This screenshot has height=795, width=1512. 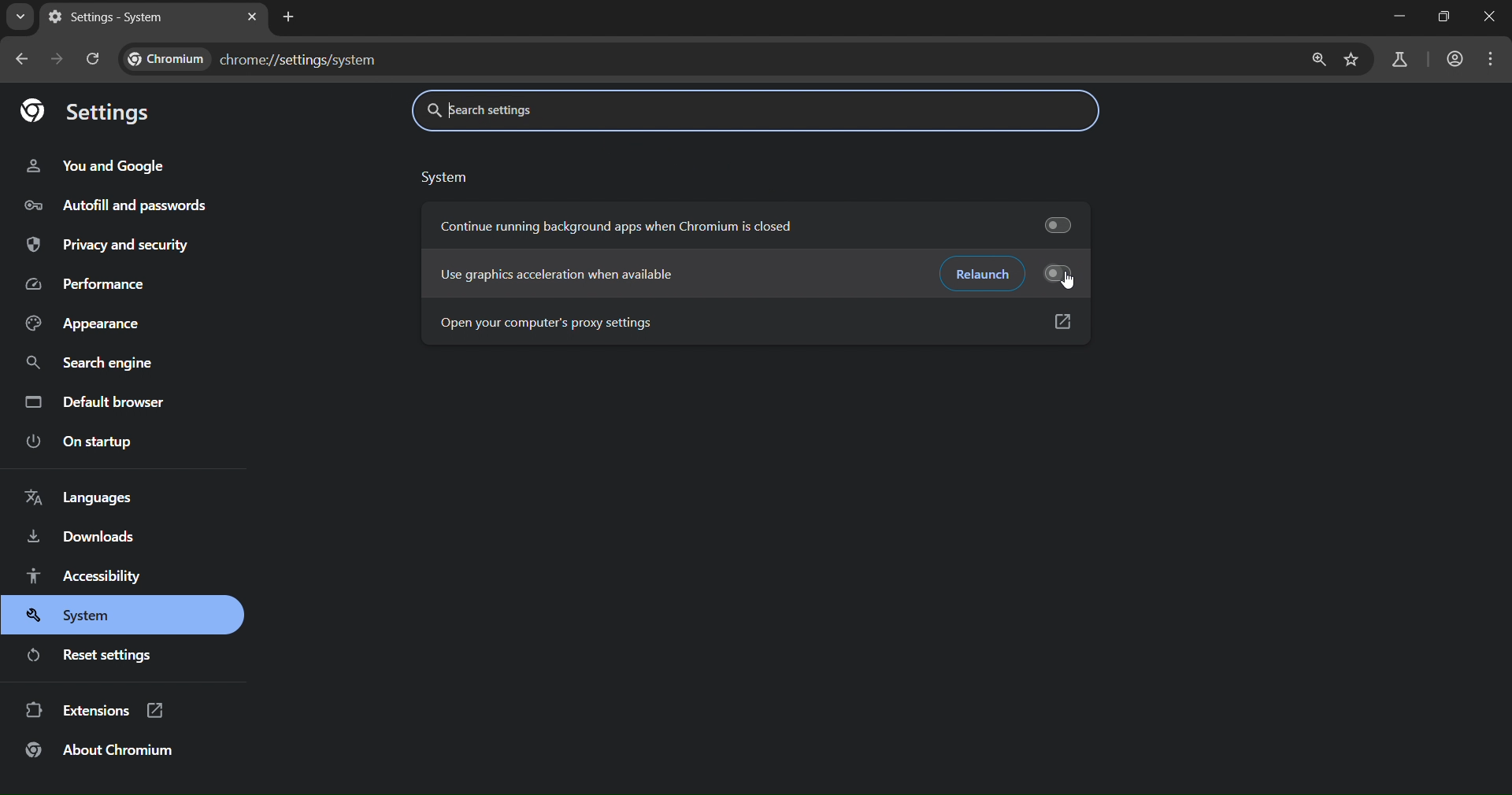 I want to click on Favorite, so click(x=1351, y=61).